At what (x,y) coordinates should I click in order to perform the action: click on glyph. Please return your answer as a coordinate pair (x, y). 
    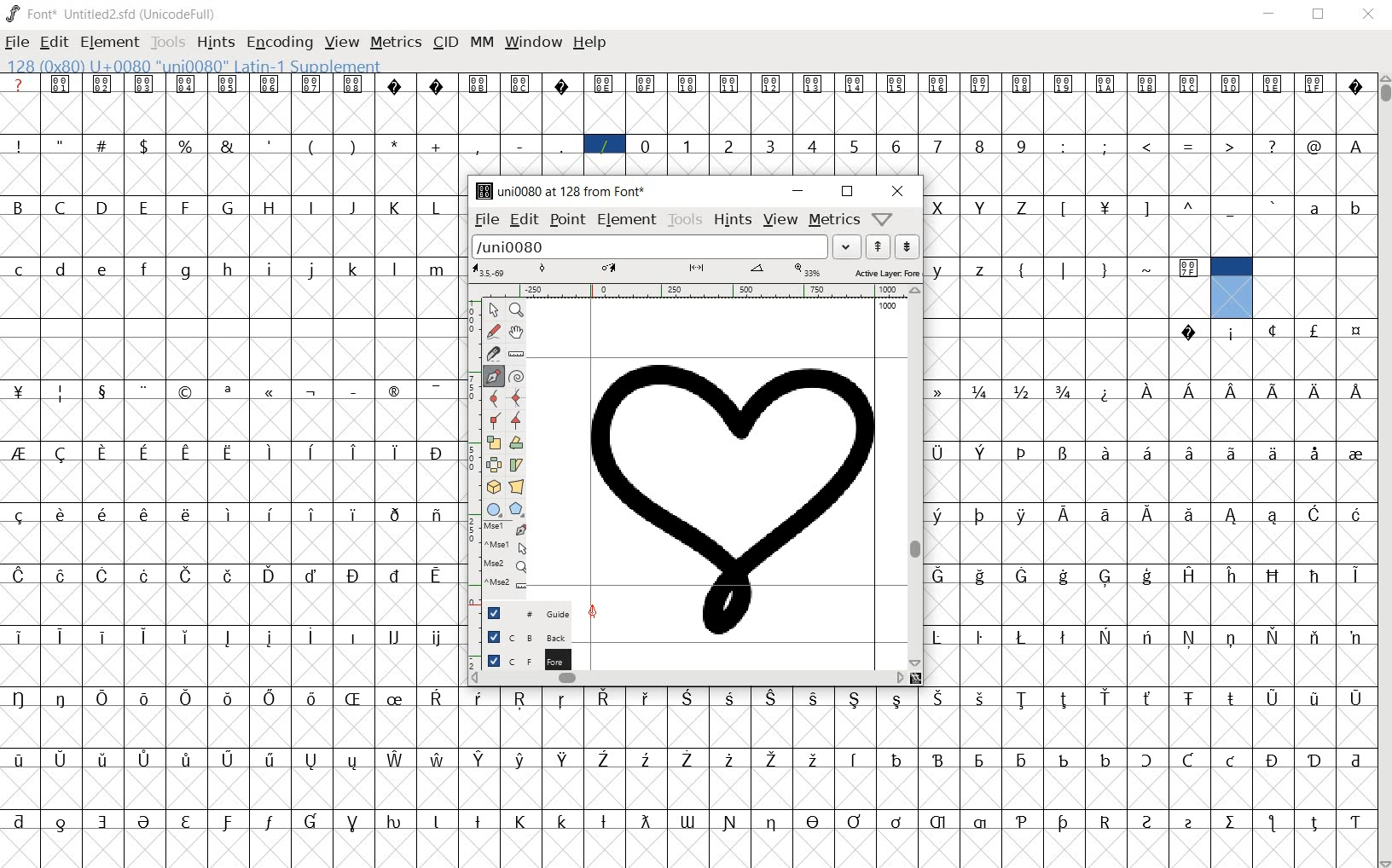
    Looking at the image, I should click on (853, 84).